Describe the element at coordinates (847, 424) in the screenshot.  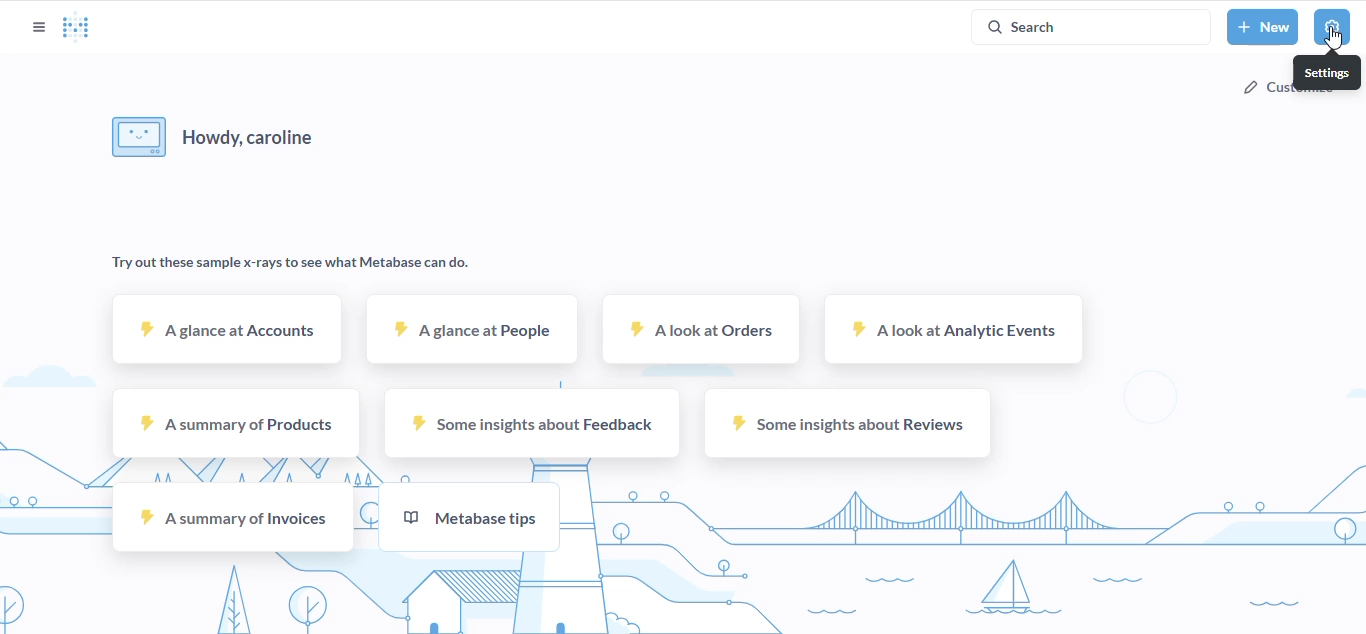
I see `some insights about reviews` at that location.